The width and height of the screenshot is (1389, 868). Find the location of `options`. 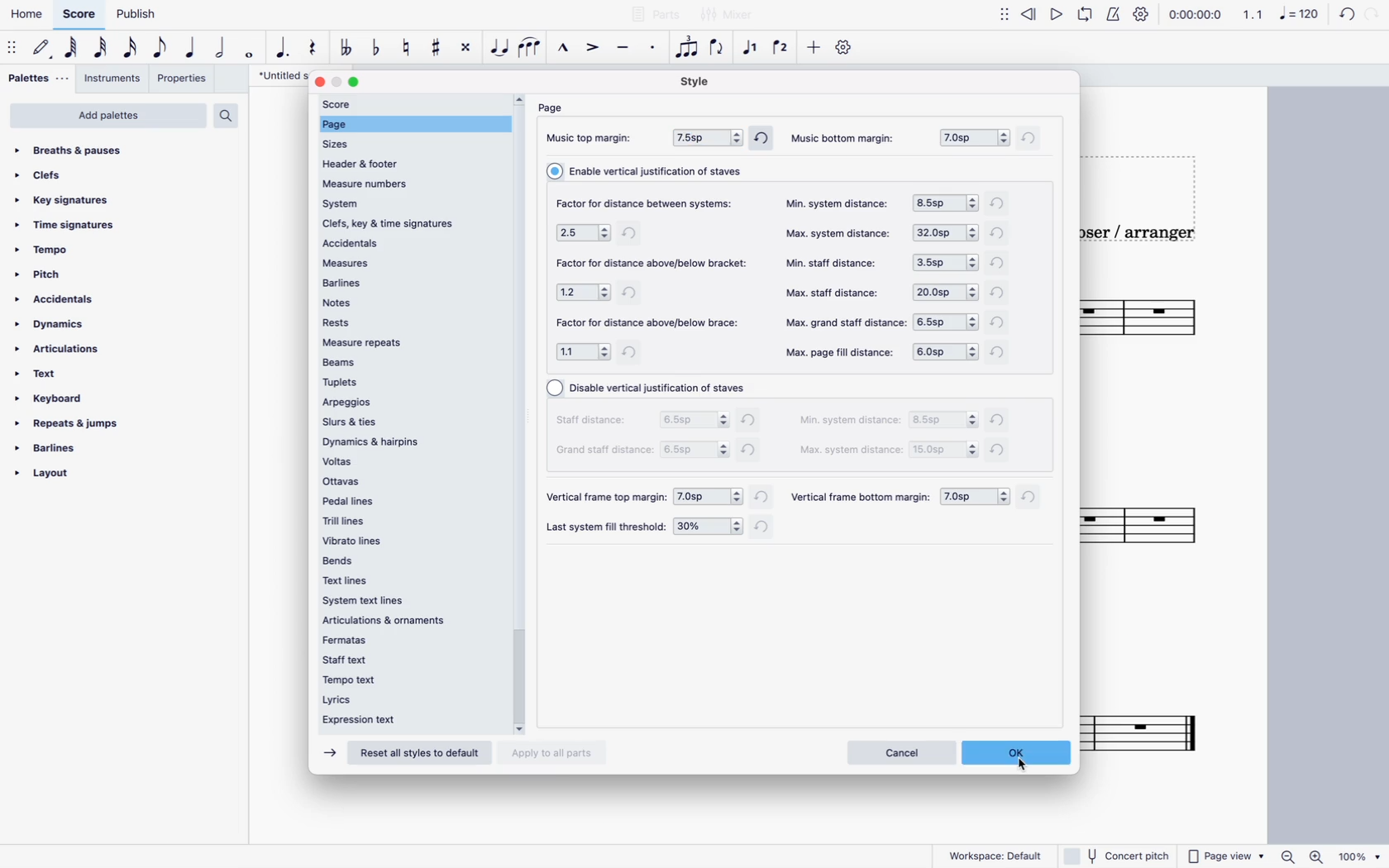

options is located at coordinates (946, 262).